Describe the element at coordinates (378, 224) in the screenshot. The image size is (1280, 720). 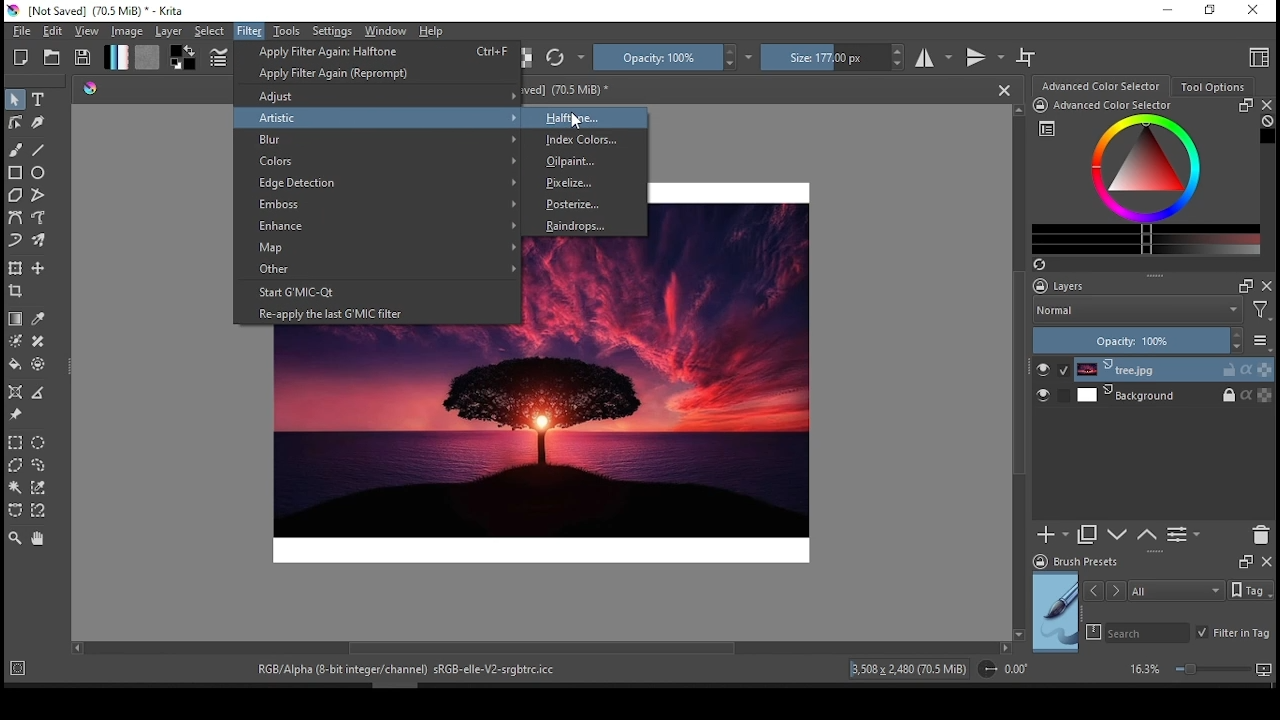
I see `enhance` at that location.